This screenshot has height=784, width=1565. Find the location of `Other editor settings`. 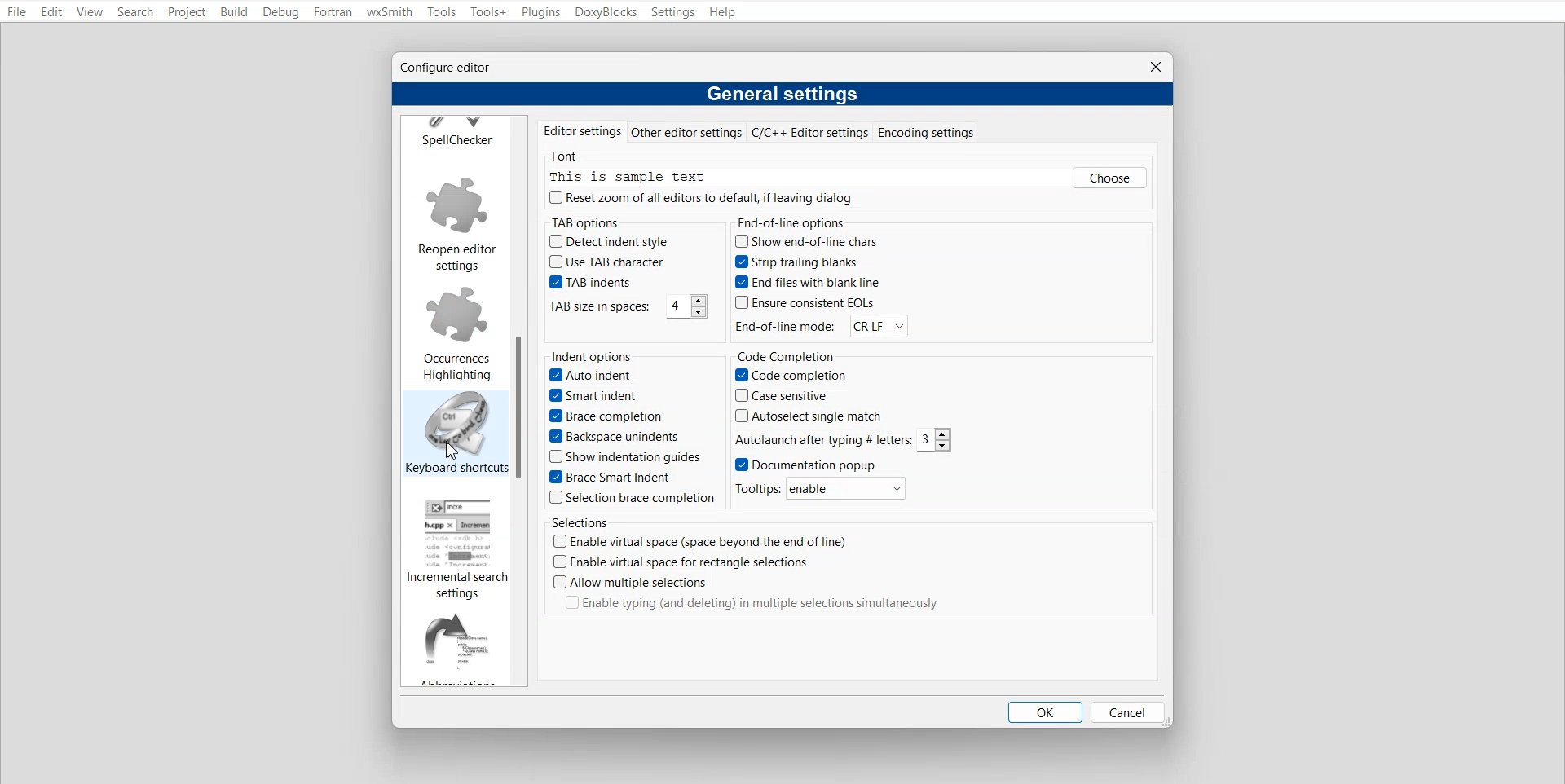

Other editor settings is located at coordinates (686, 131).